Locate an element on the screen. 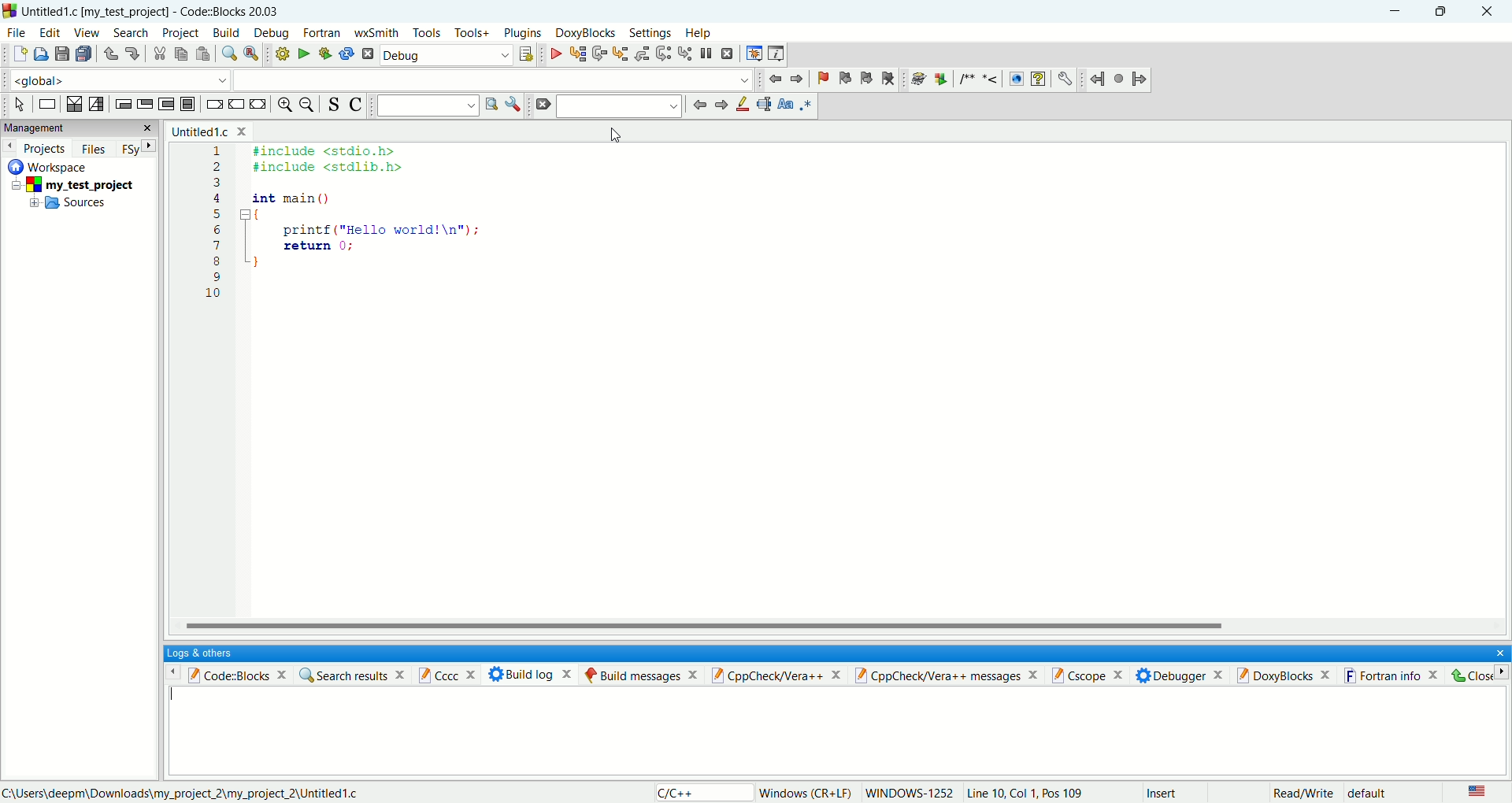  edit is located at coordinates (50, 32).